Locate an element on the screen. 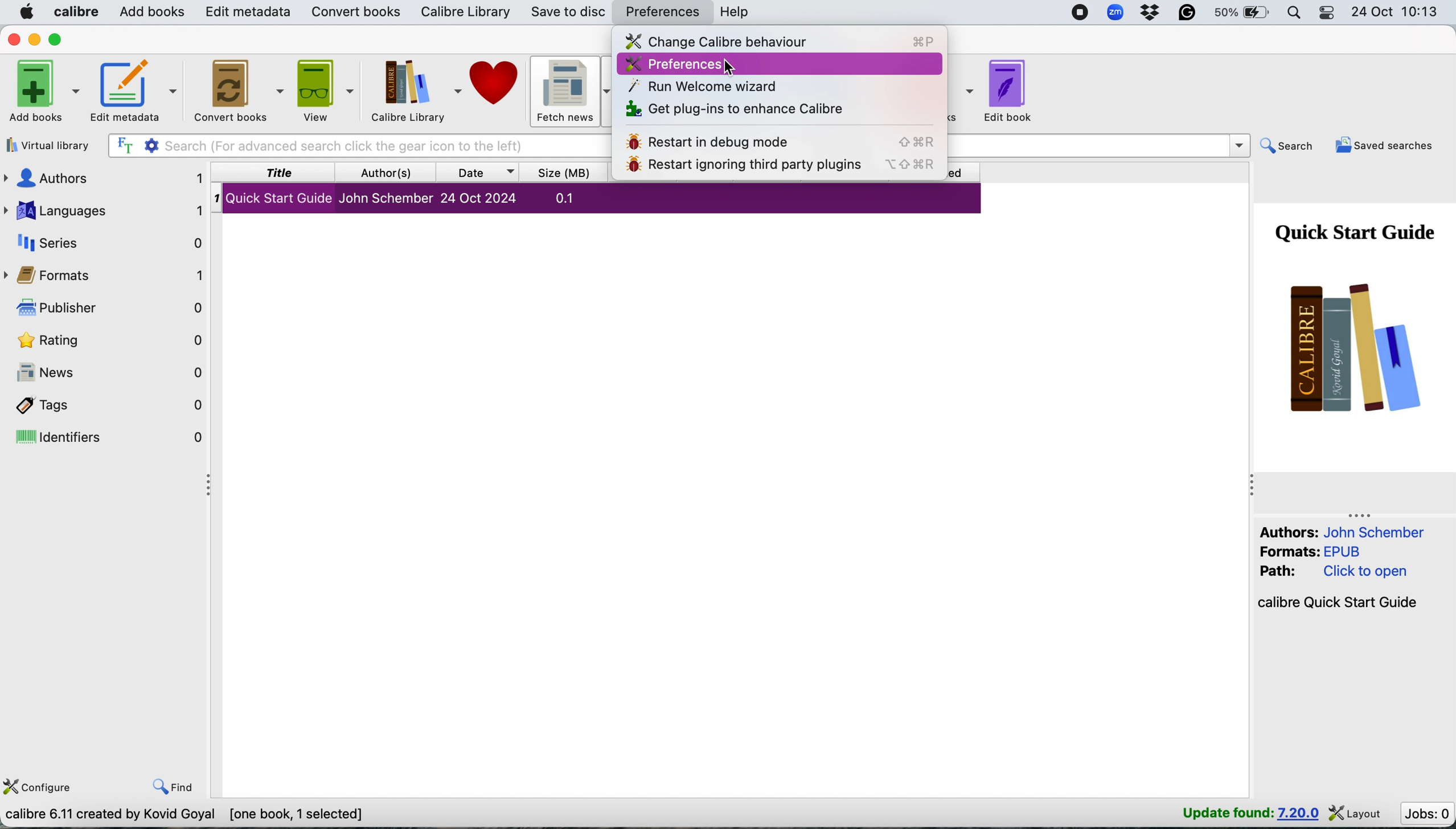 Image resolution: width=1456 pixels, height=829 pixels. settings is located at coordinates (154, 146).